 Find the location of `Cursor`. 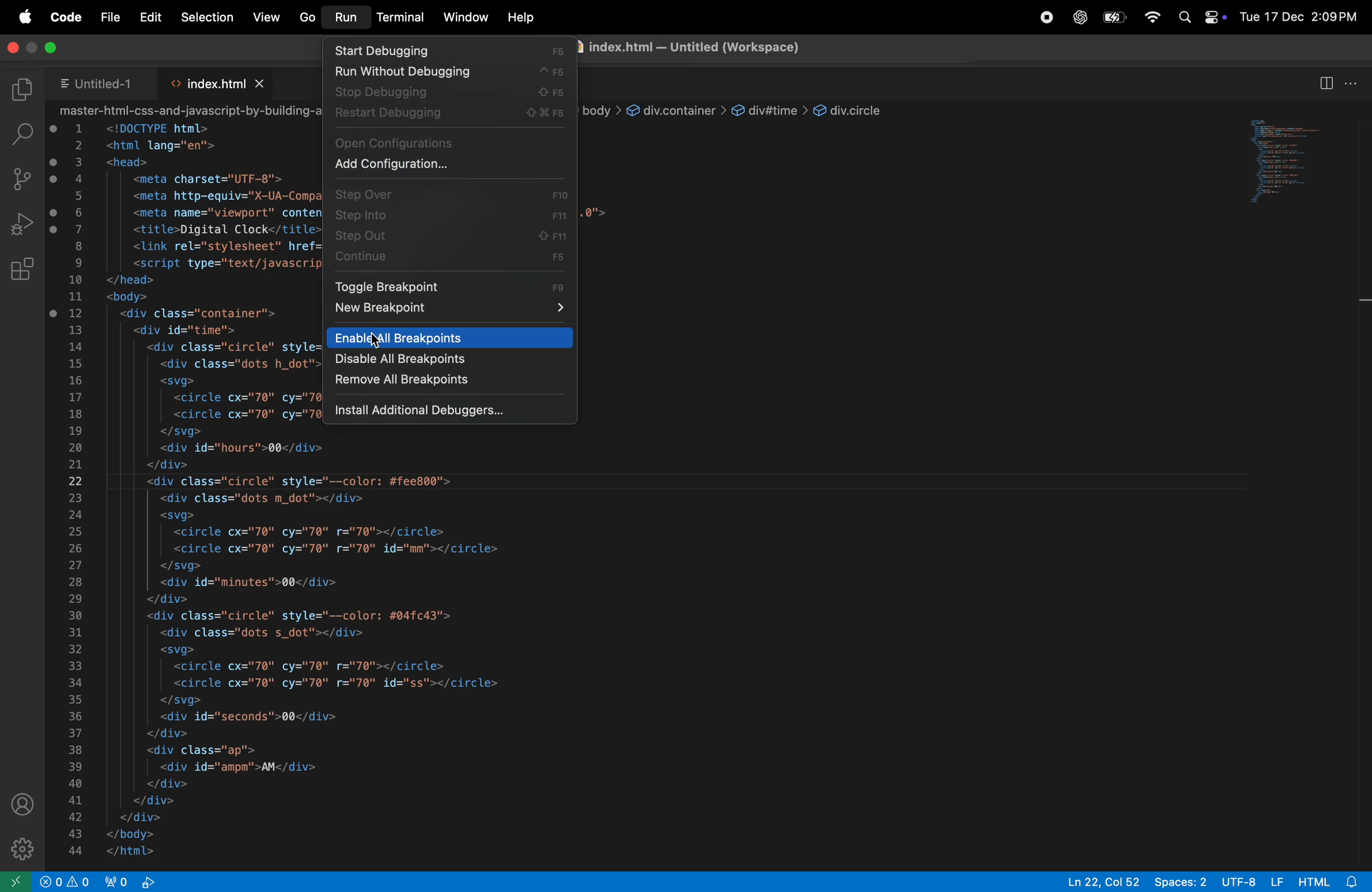

Cursor is located at coordinates (377, 343).